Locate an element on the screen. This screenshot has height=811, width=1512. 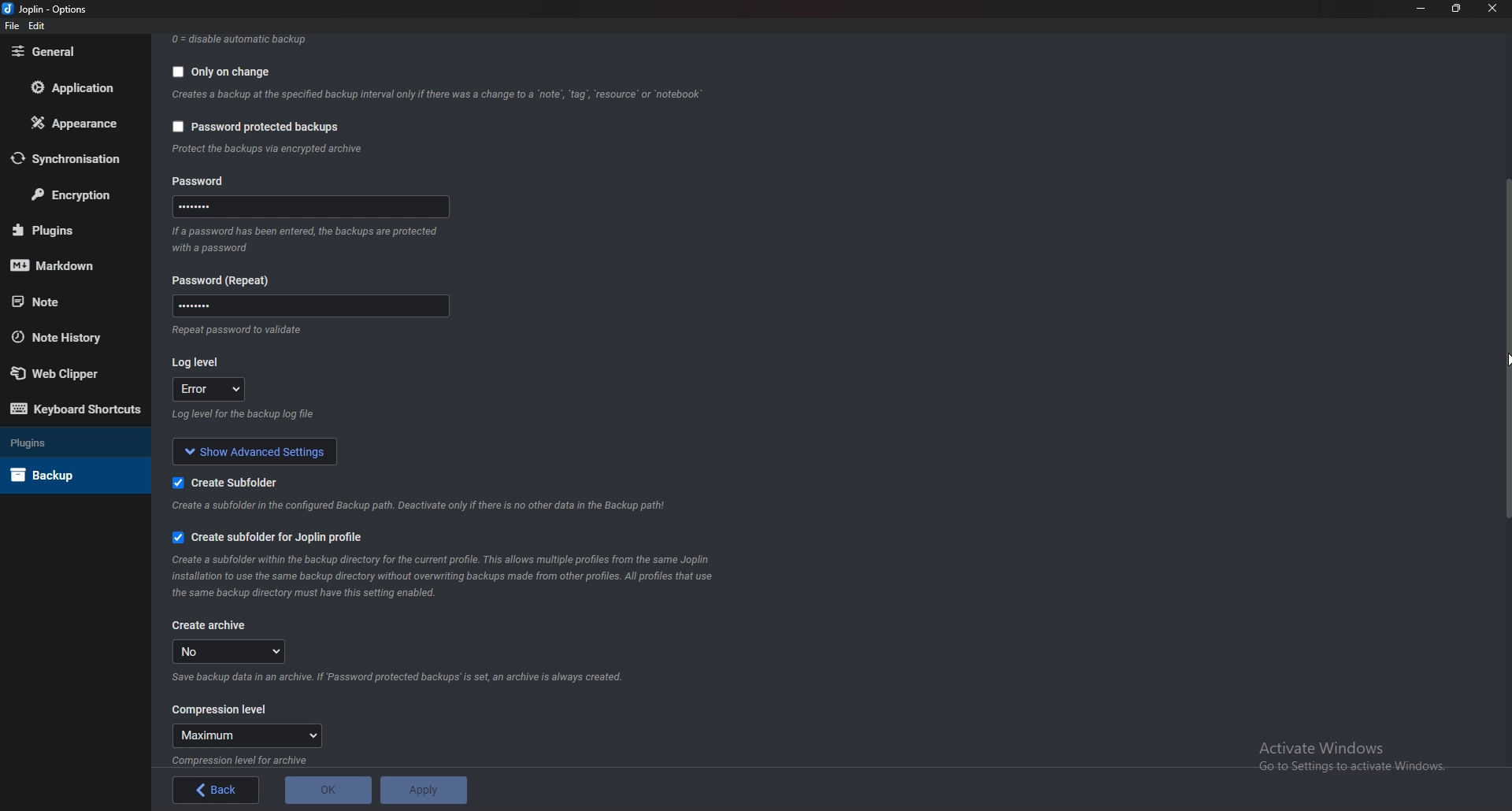
Password is located at coordinates (315, 206).